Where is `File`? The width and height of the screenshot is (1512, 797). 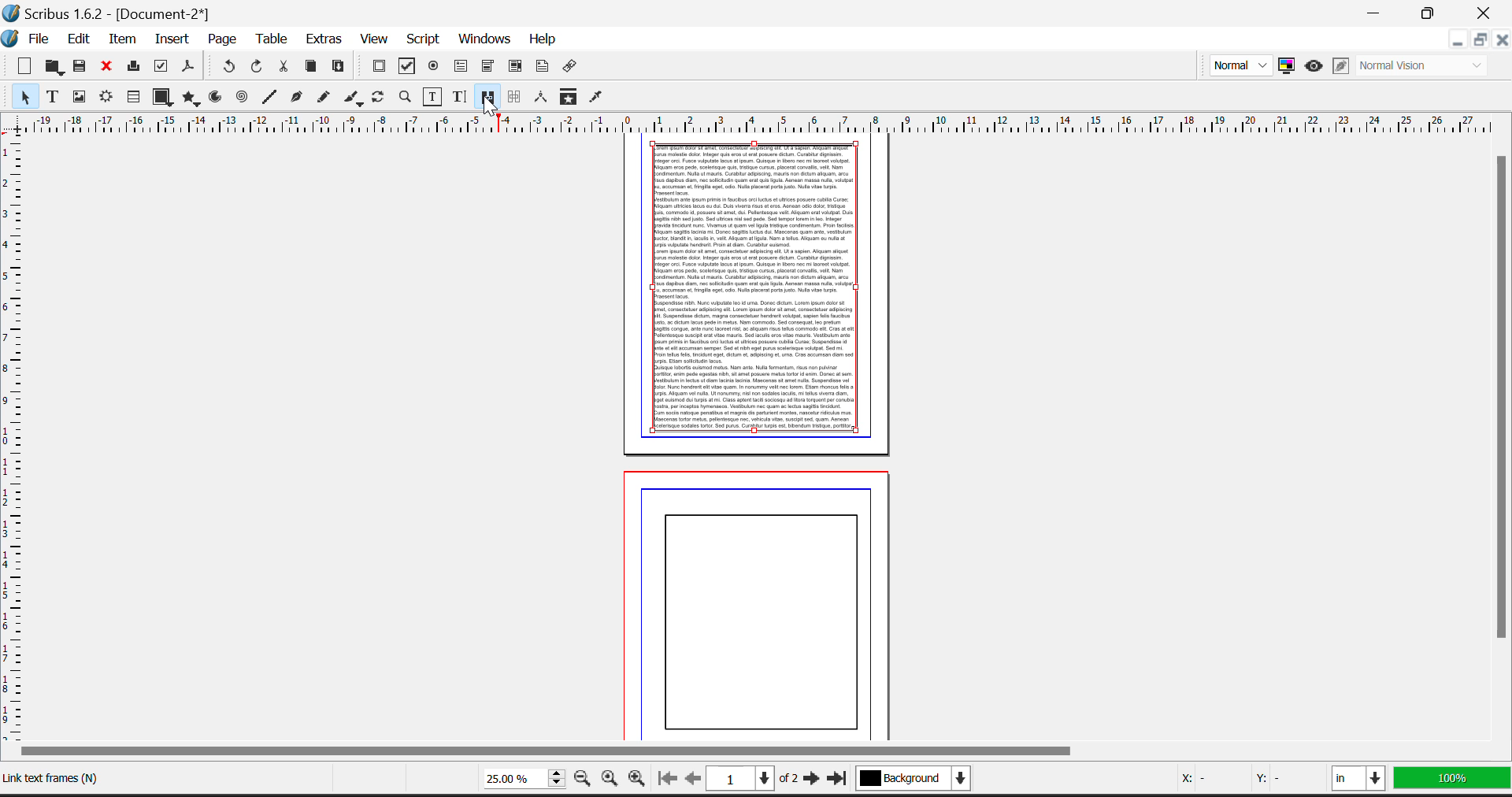 File is located at coordinates (43, 40).